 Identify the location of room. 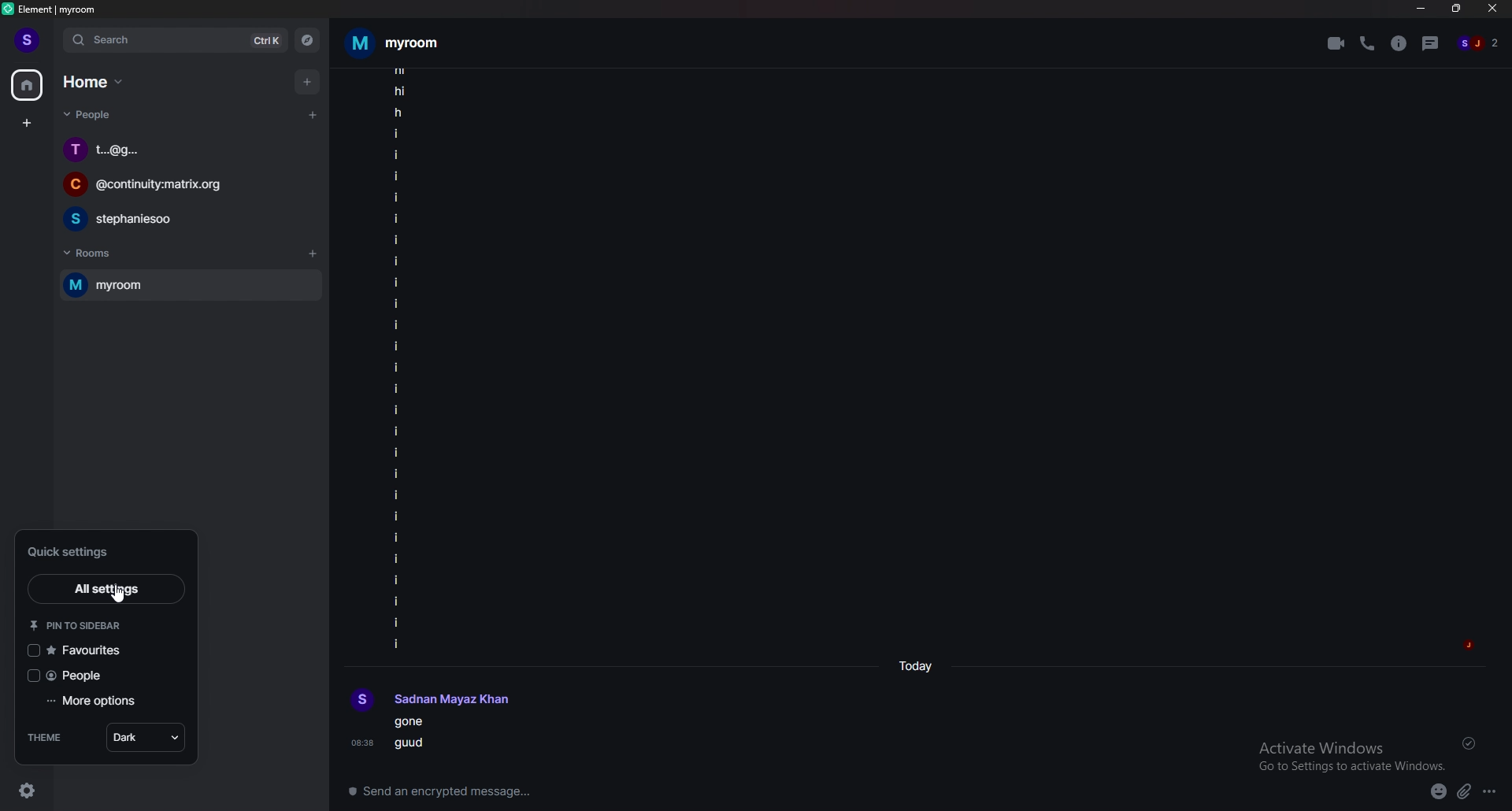
(187, 286).